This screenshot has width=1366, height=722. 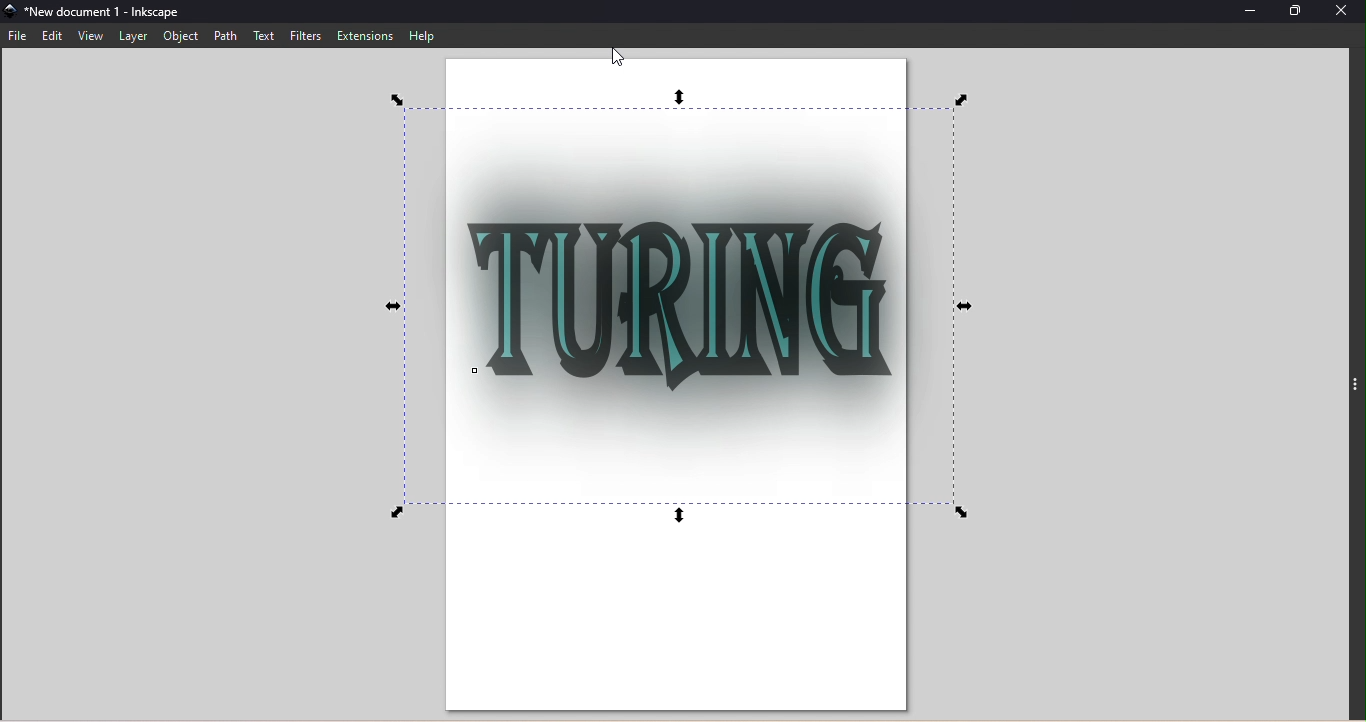 What do you see at coordinates (1343, 14) in the screenshot?
I see `Close` at bounding box center [1343, 14].